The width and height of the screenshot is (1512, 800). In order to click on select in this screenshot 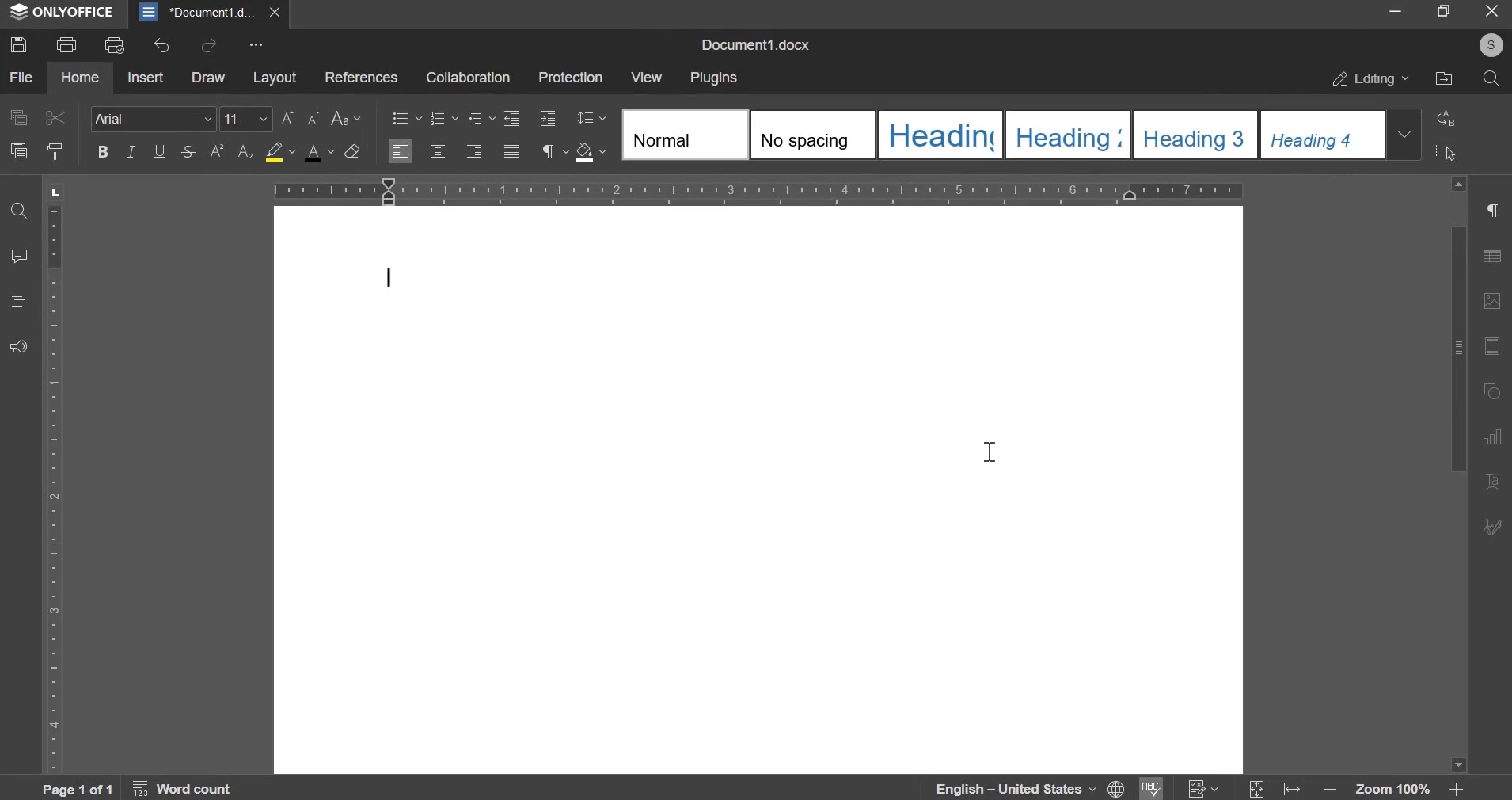, I will do `click(1448, 153)`.